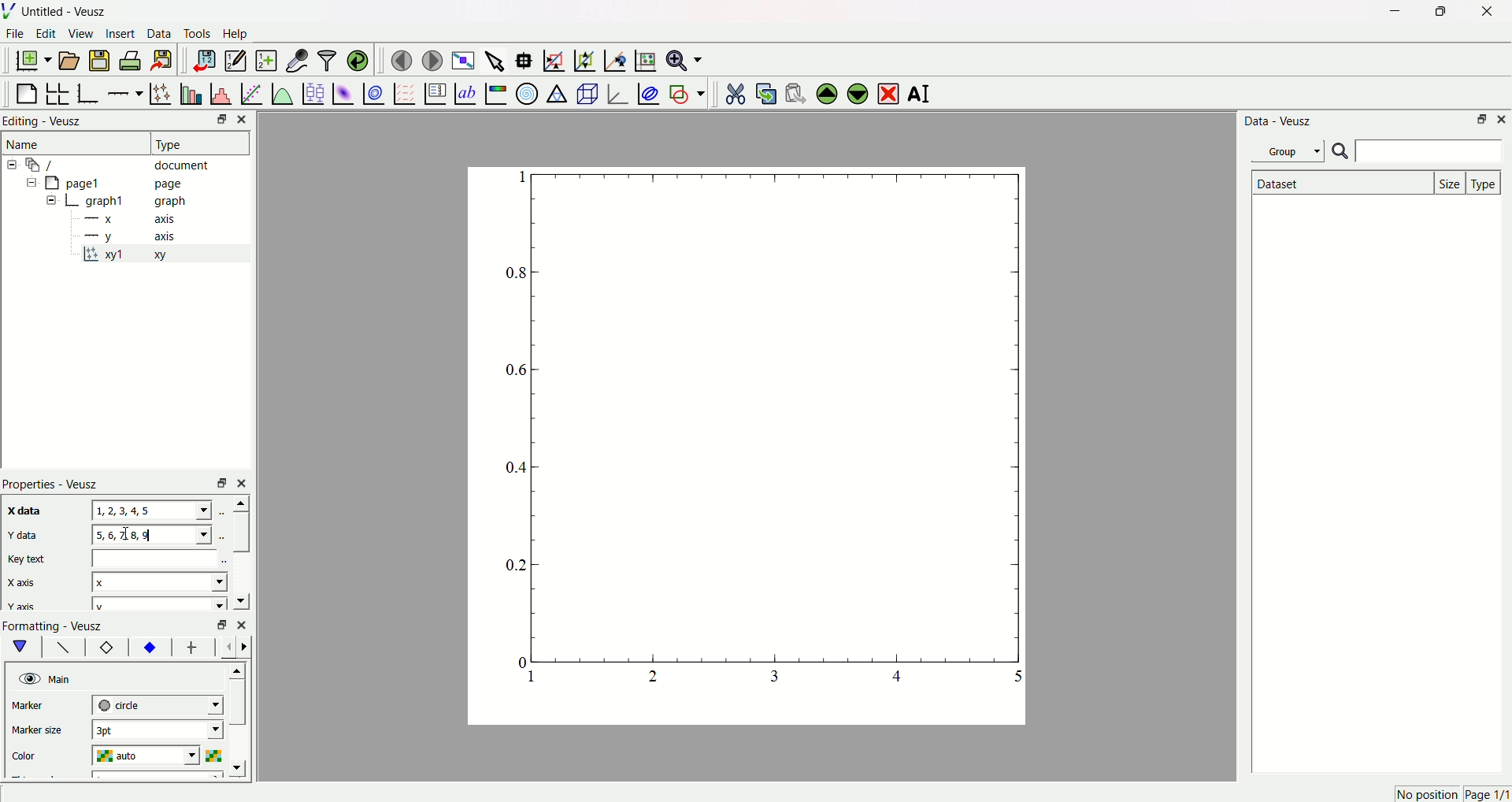 This screenshot has width=1512, height=802. Describe the element at coordinates (64, 649) in the screenshot. I see `background` at that location.